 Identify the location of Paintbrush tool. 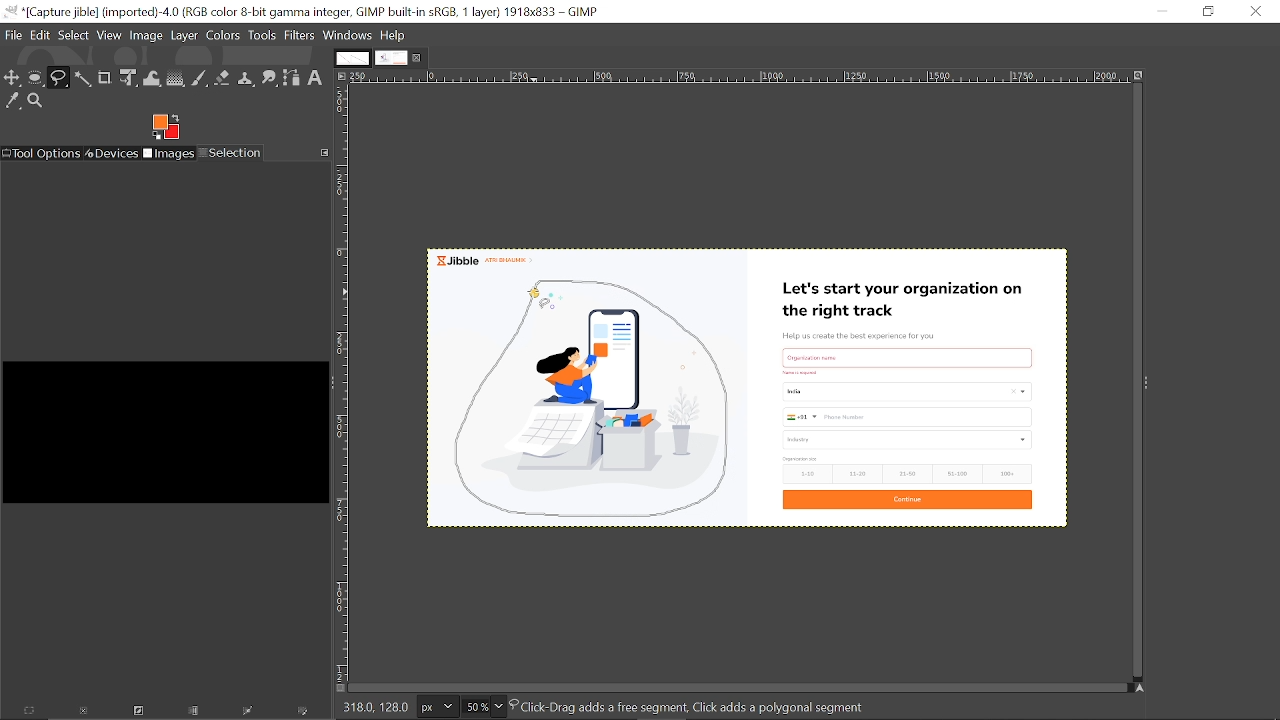
(200, 79).